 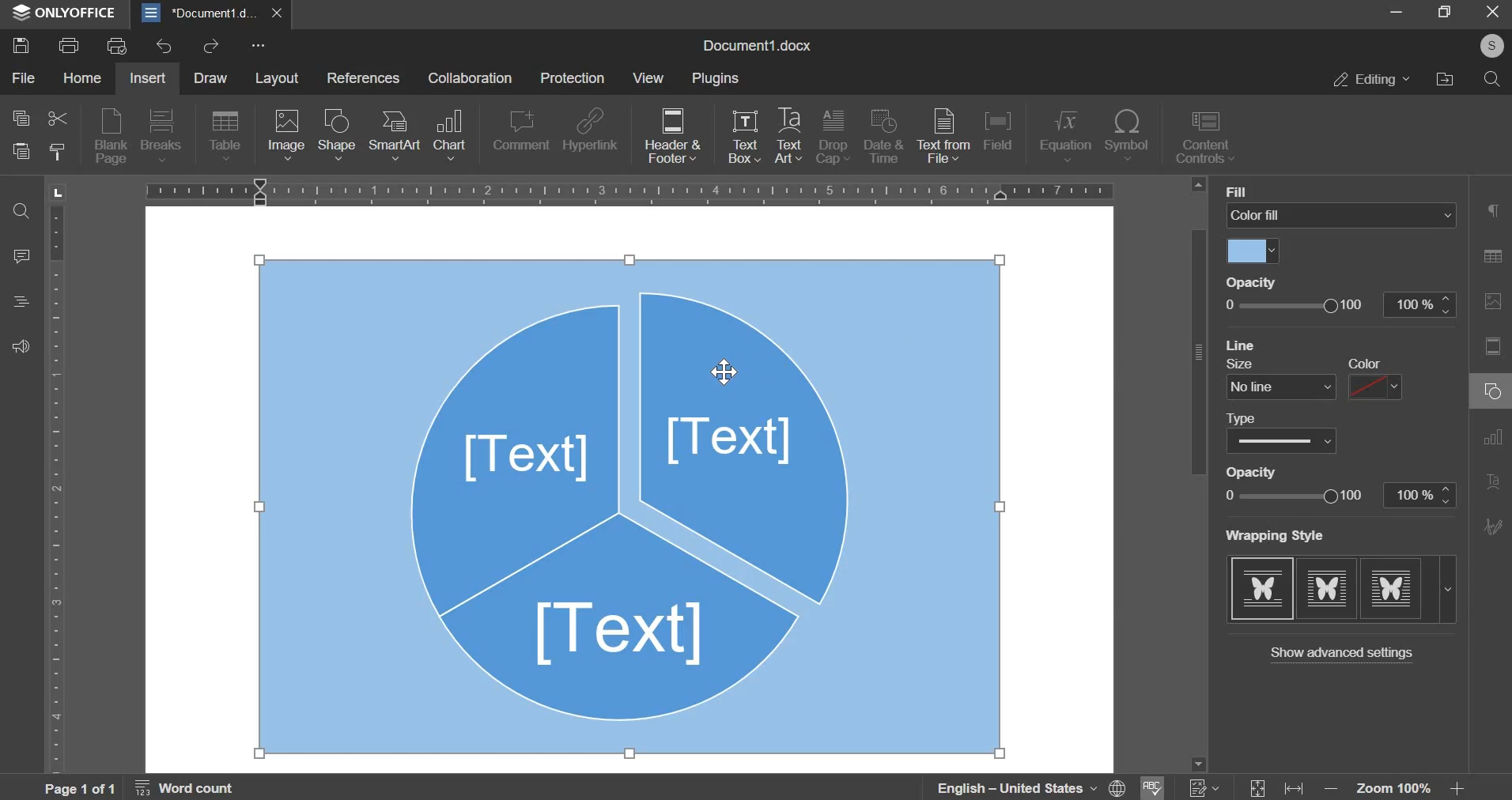 What do you see at coordinates (141, 788) in the screenshot?
I see `page and word count` at bounding box center [141, 788].